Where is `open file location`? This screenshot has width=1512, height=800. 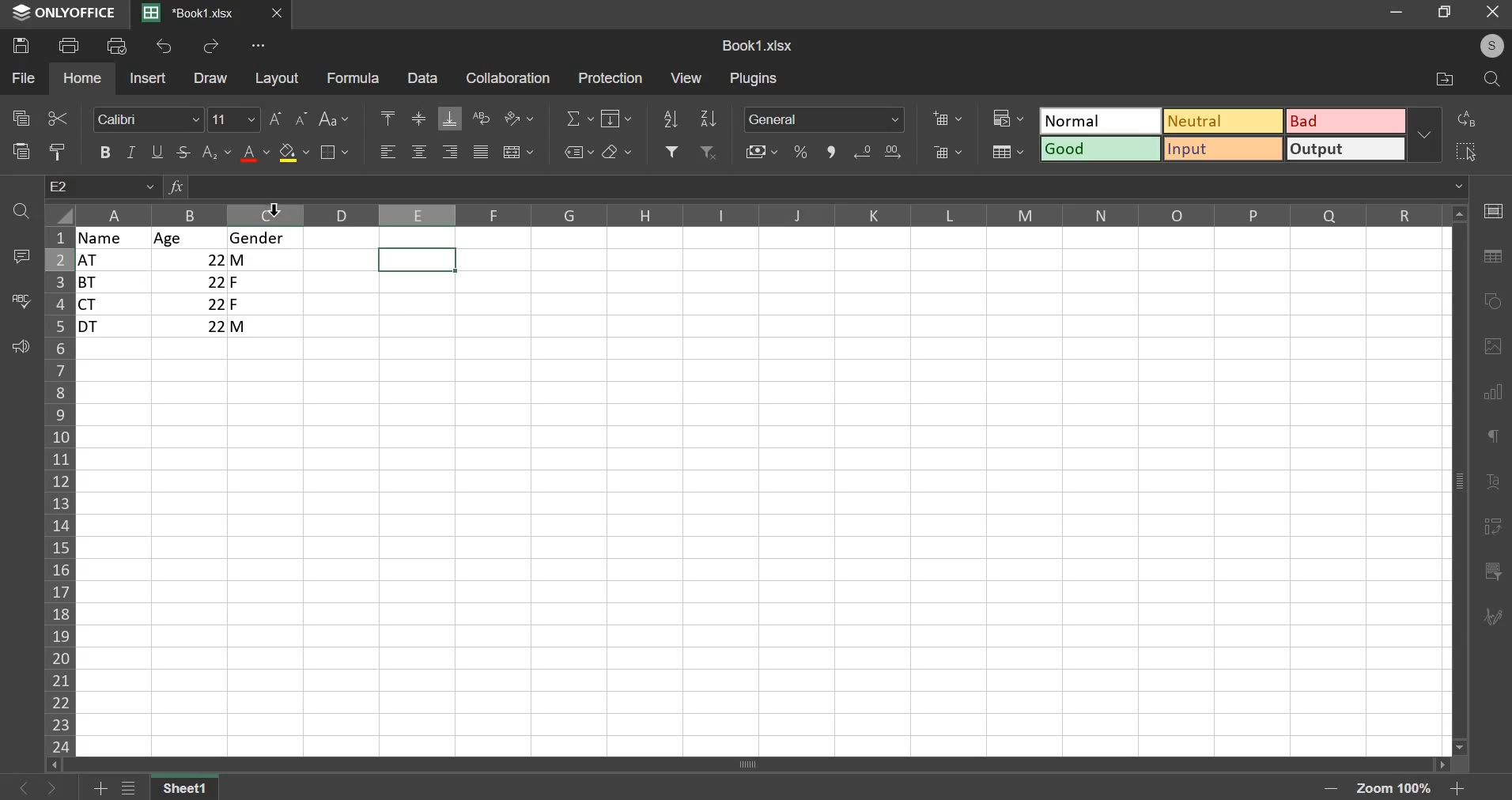 open file location is located at coordinates (1447, 80).